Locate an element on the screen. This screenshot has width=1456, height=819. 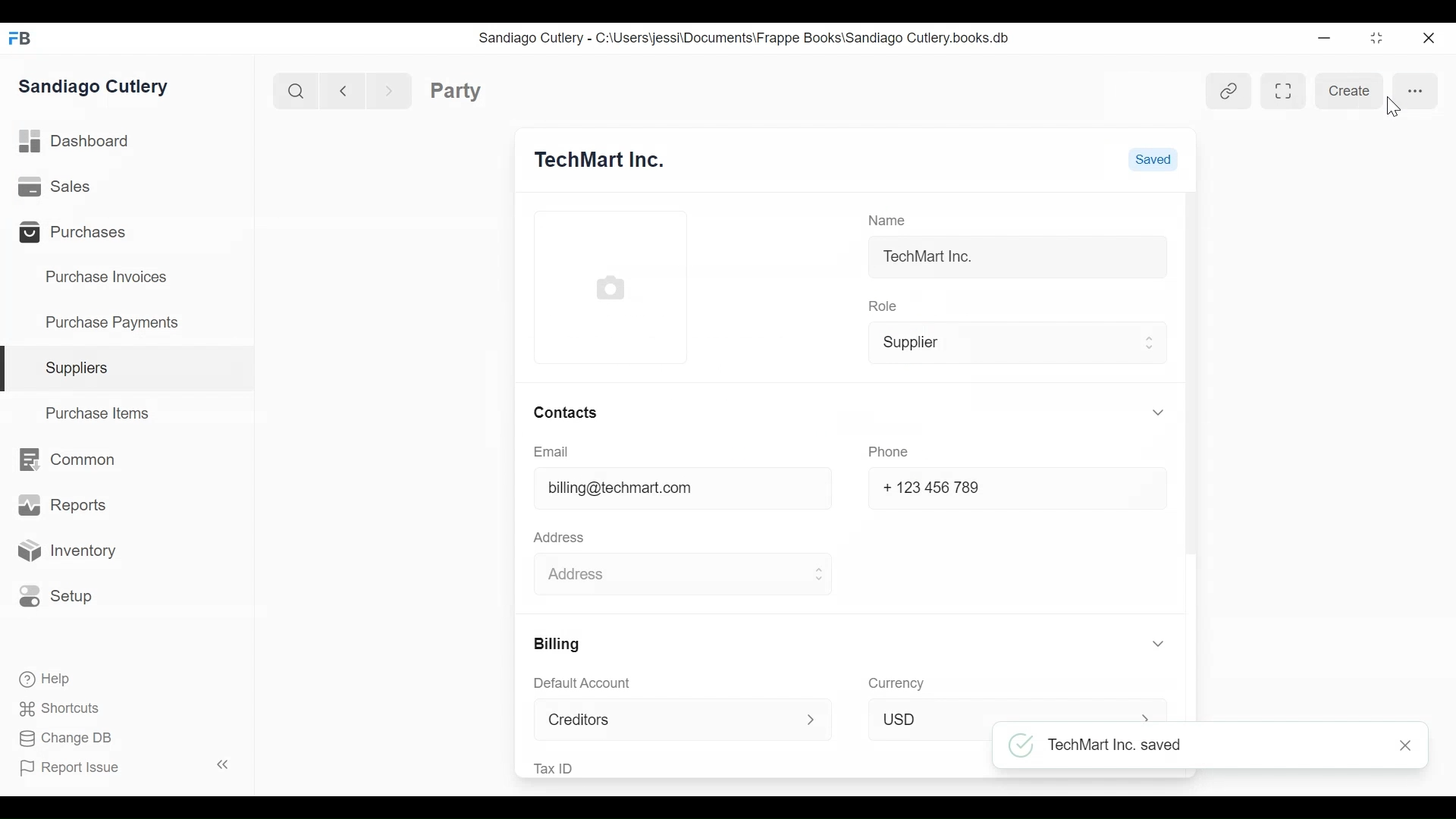
Role is located at coordinates (882, 306).